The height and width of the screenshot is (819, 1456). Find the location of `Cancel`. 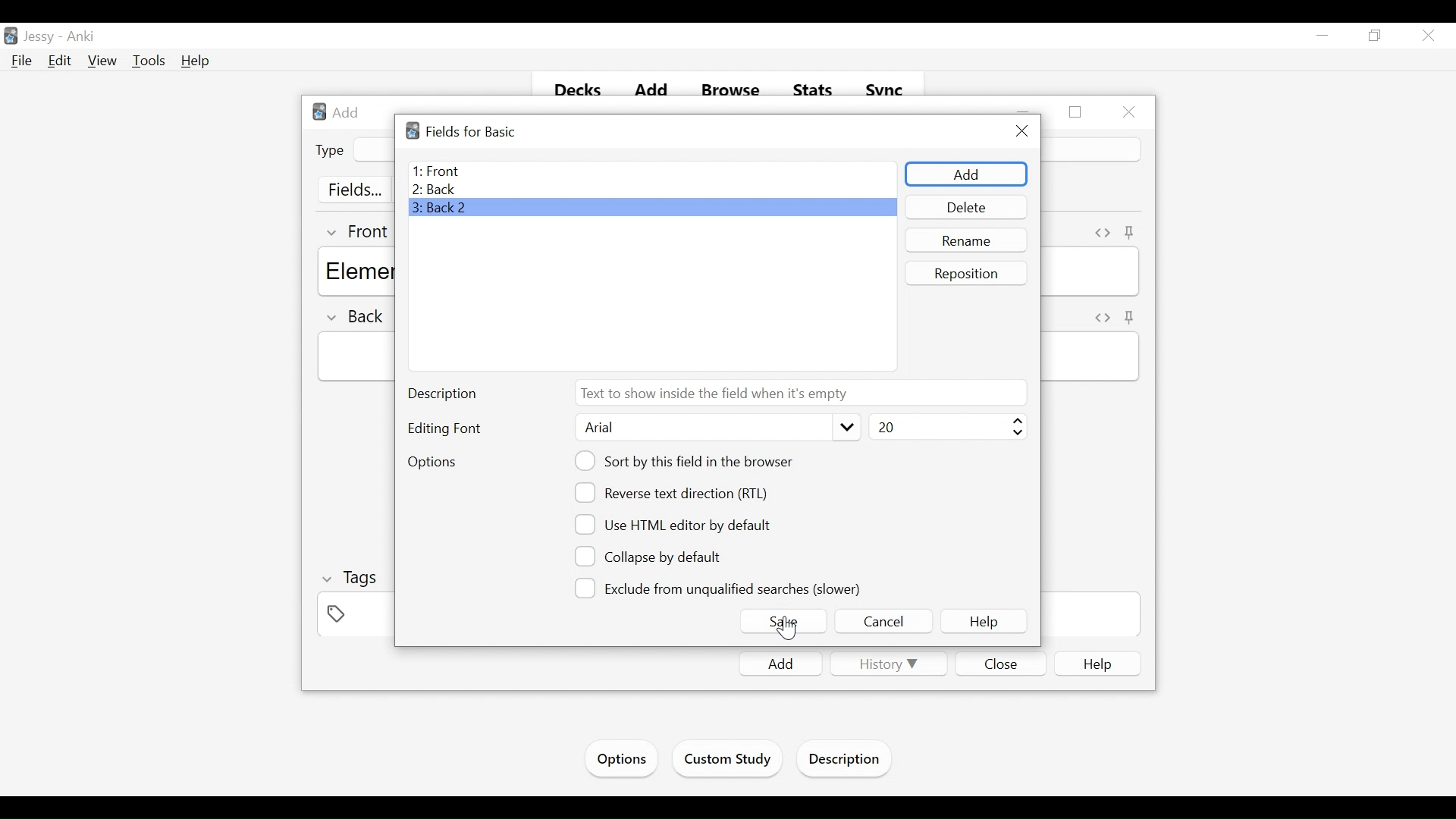

Cancel is located at coordinates (884, 622).